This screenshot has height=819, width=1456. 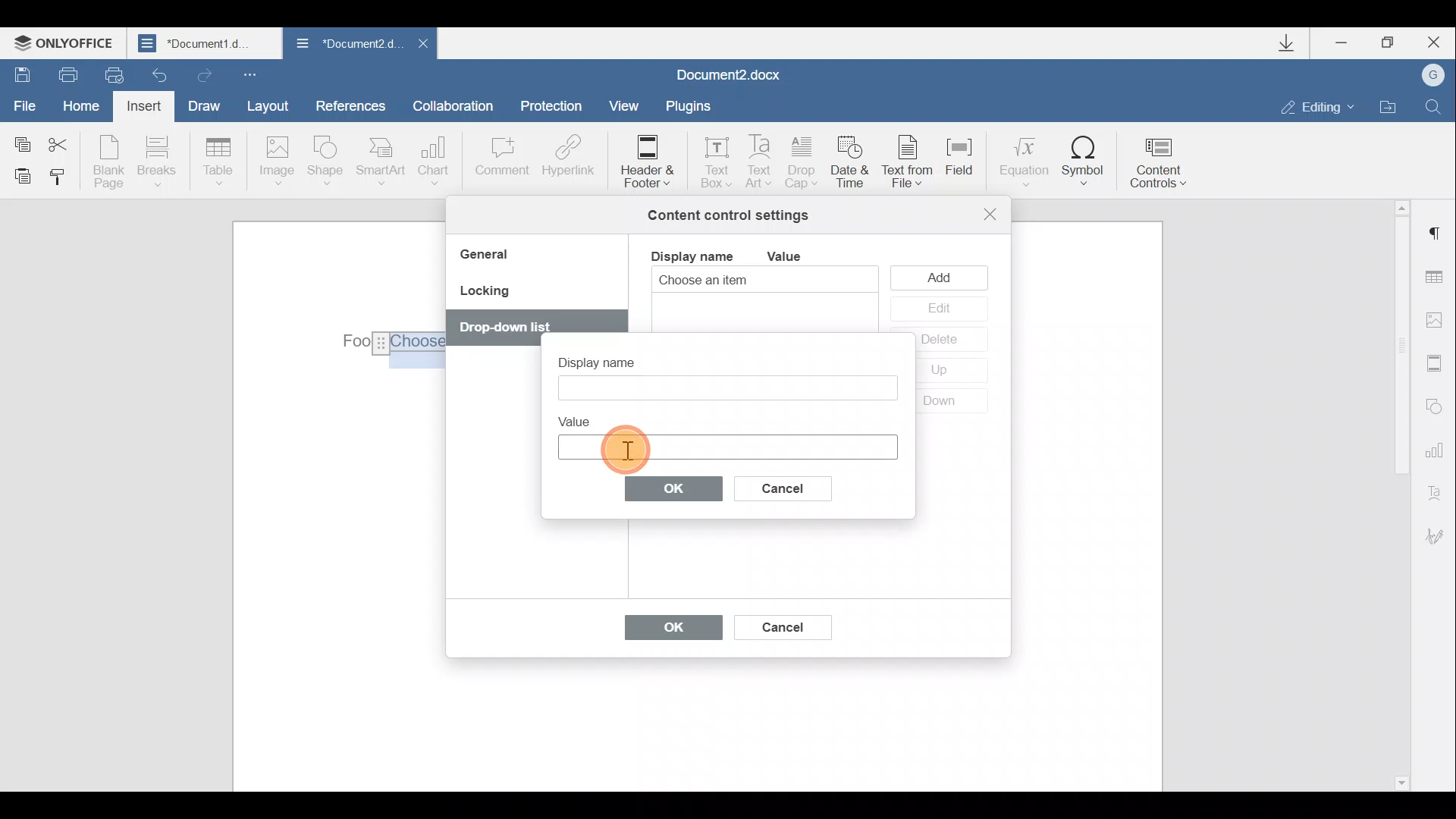 What do you see at coordinates (728, 215) in the screenshot?
I see `Content control settings` at bounding box center [728, 215].